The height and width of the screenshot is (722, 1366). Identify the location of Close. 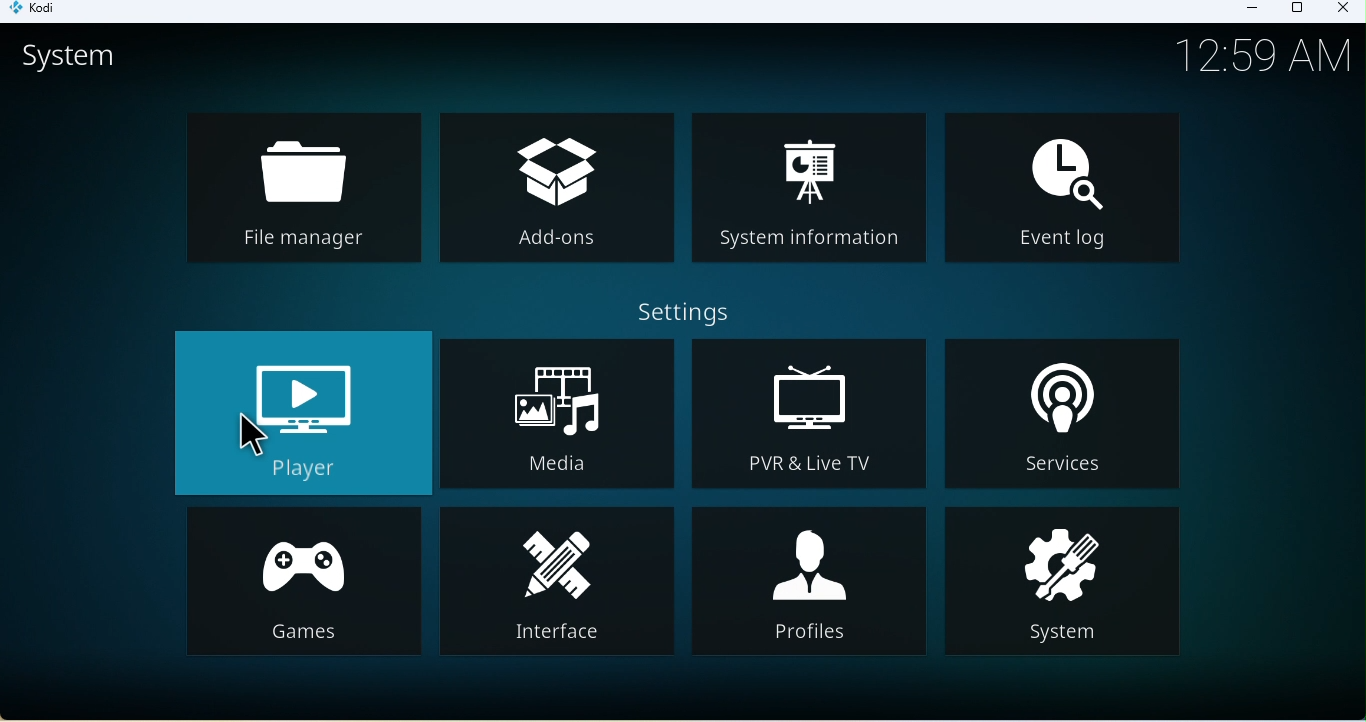
(1341, 10).